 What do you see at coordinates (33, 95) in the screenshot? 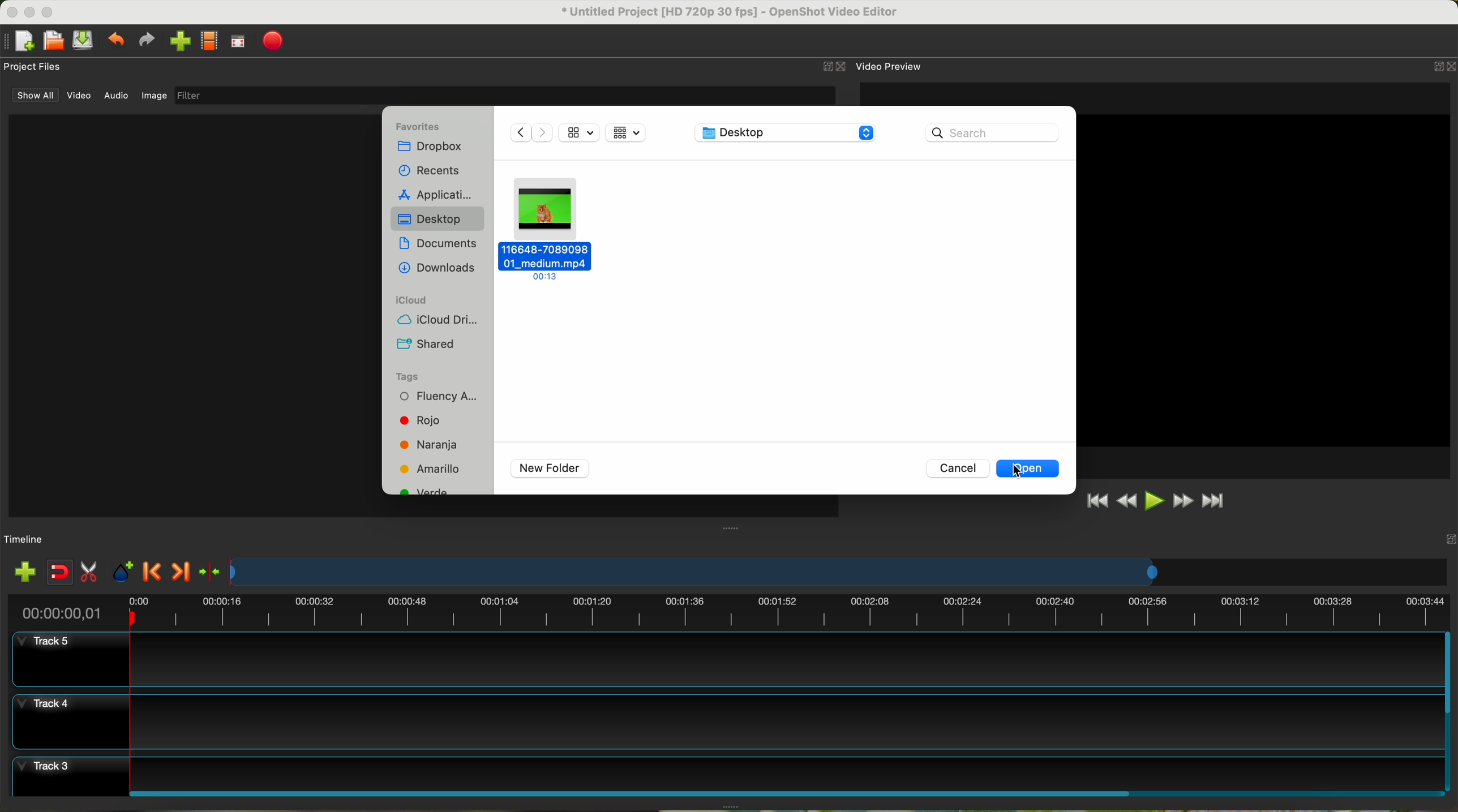
I see `show all` at bounding box center [33, 95].